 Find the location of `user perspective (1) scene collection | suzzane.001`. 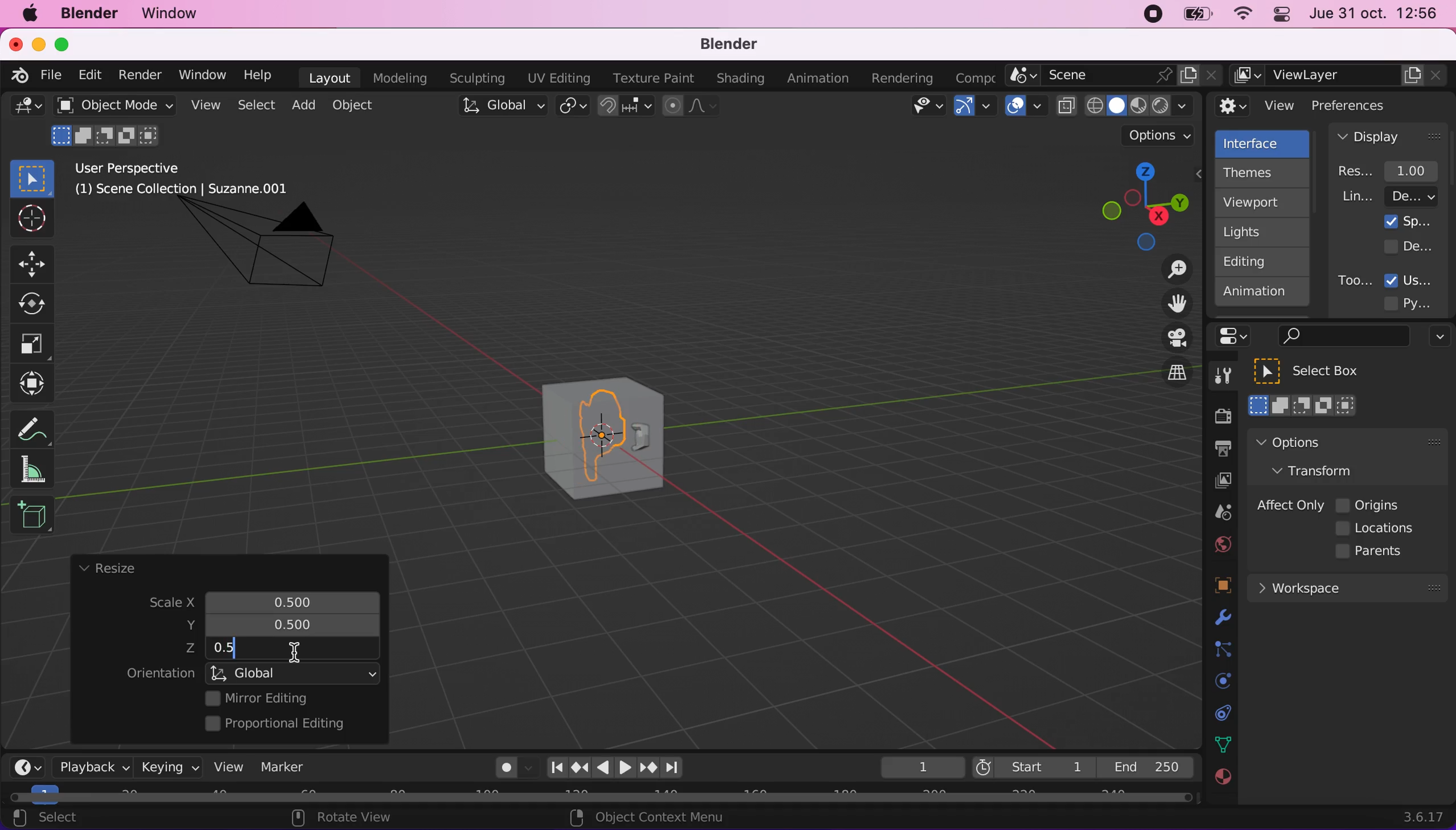

user perspective (1) scene collection | suzzane.001 is located at coordinates (190, 180).